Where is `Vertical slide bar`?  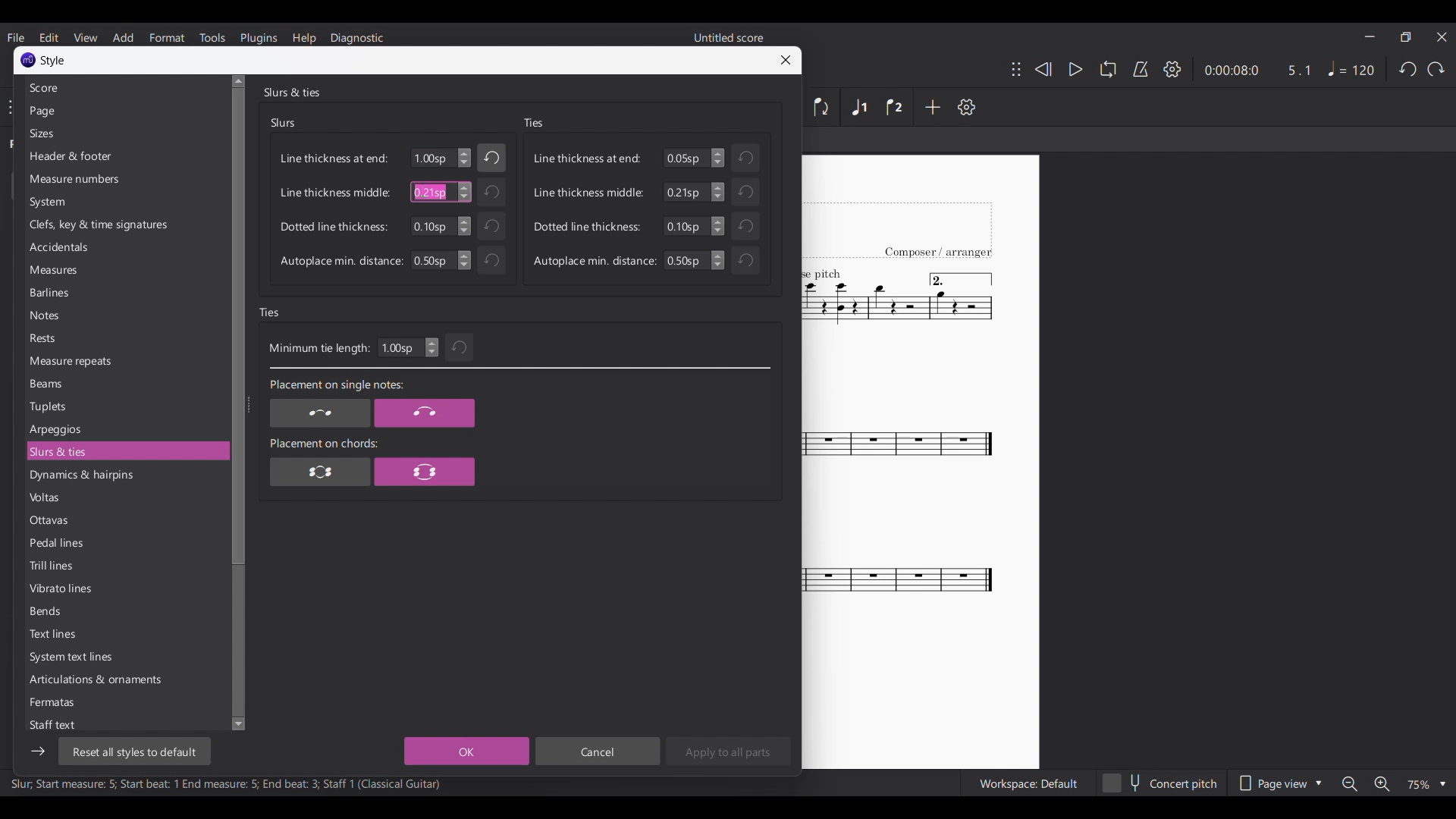 Vertical slide bar is located at coordinates (235, 403).